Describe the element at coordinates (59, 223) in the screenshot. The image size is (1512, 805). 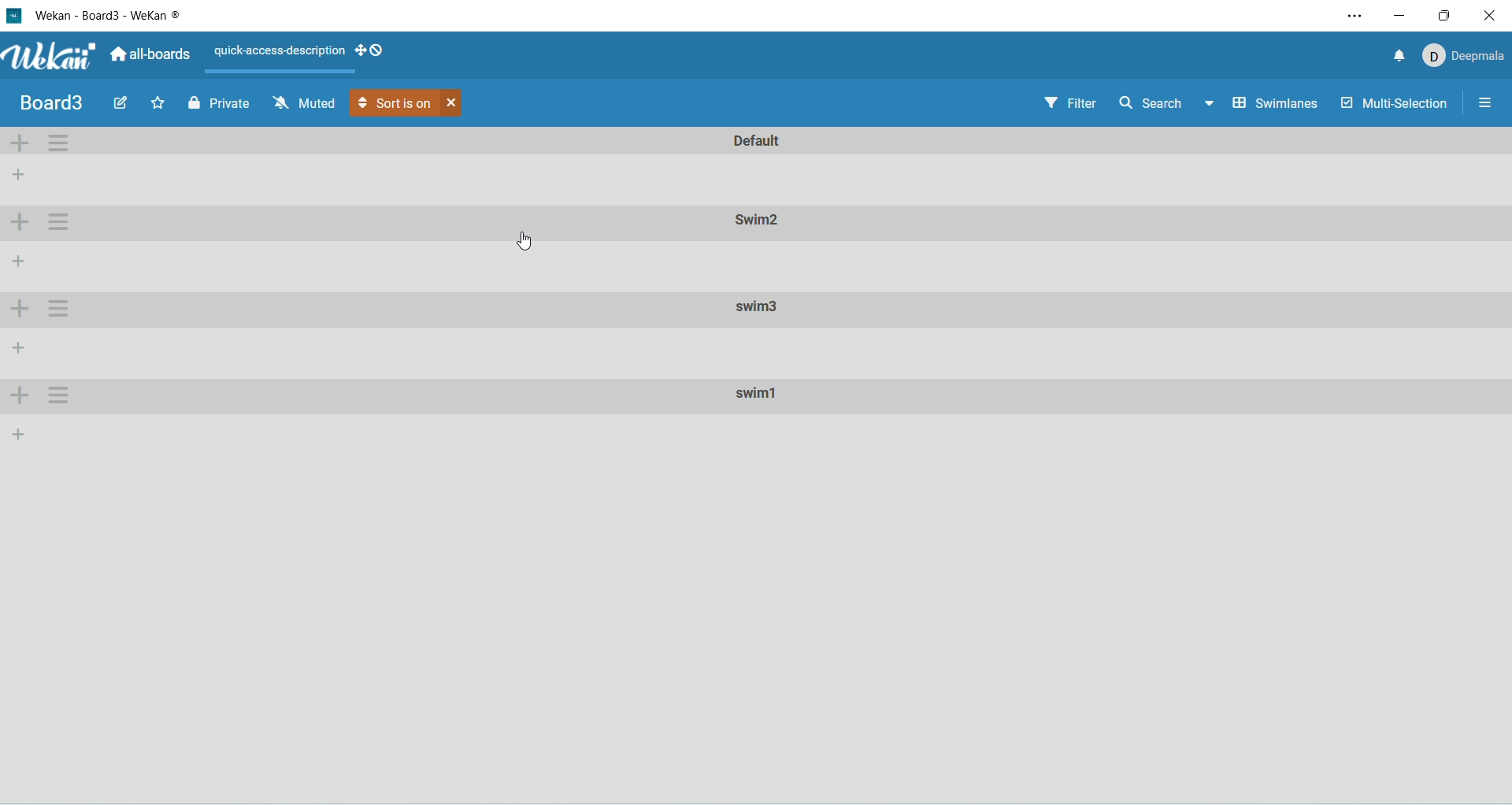
I see `swimlane actions` at that location.